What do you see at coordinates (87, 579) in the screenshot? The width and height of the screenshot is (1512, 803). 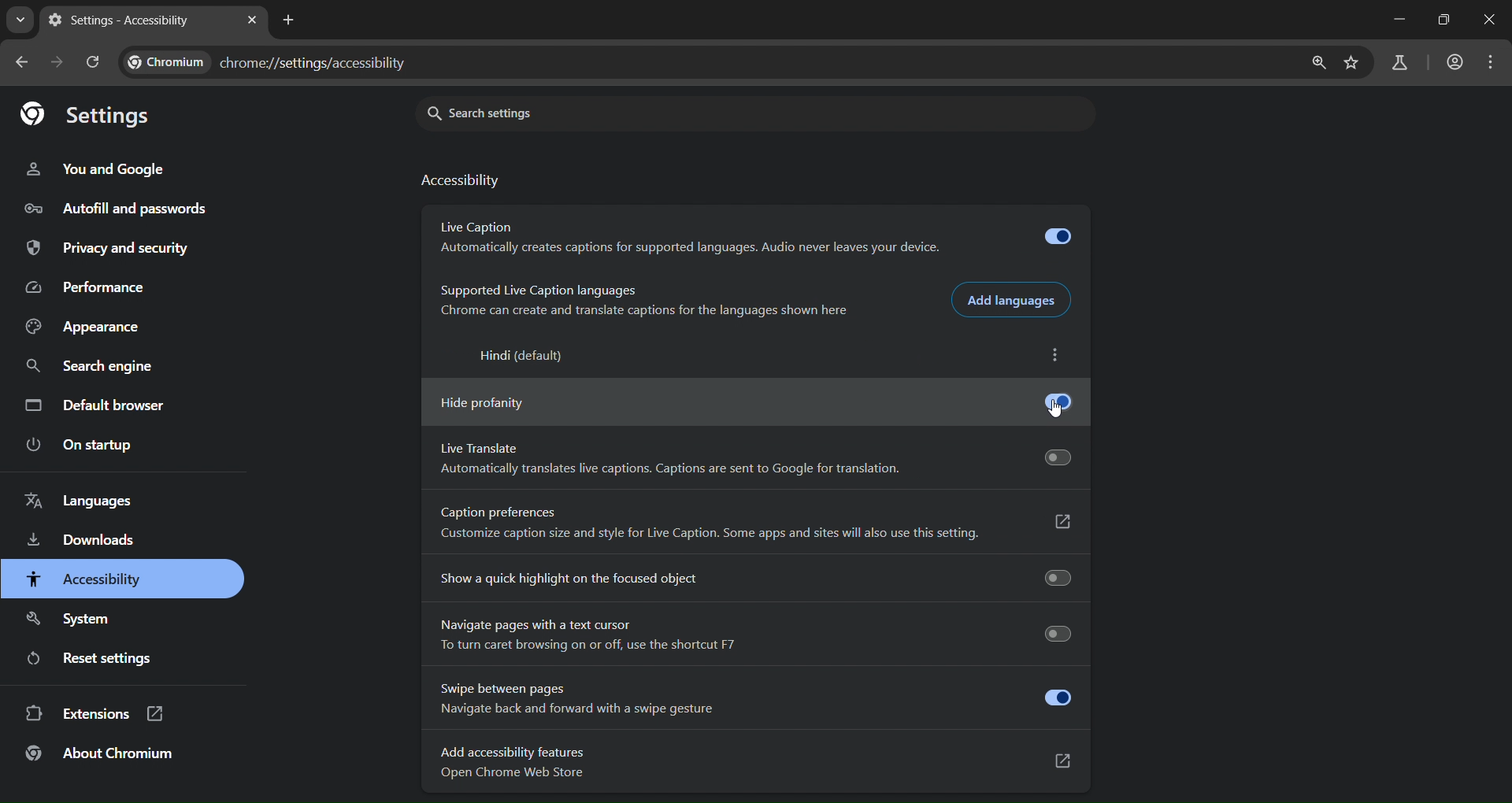 I see `accessibility` at bounding box center [87, 579].